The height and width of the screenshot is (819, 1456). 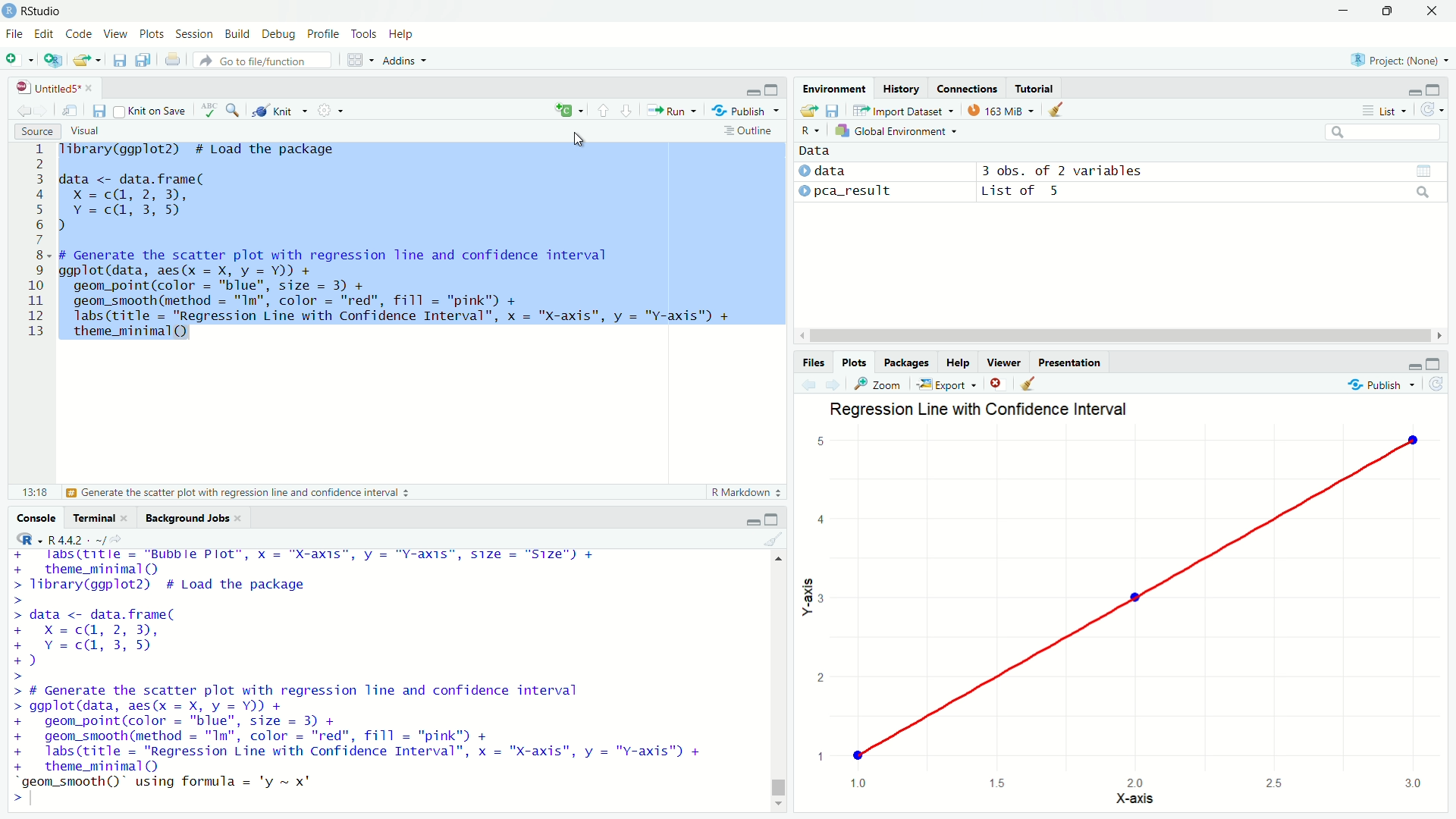 I want to click on Environment, so click(x=834, y=87).